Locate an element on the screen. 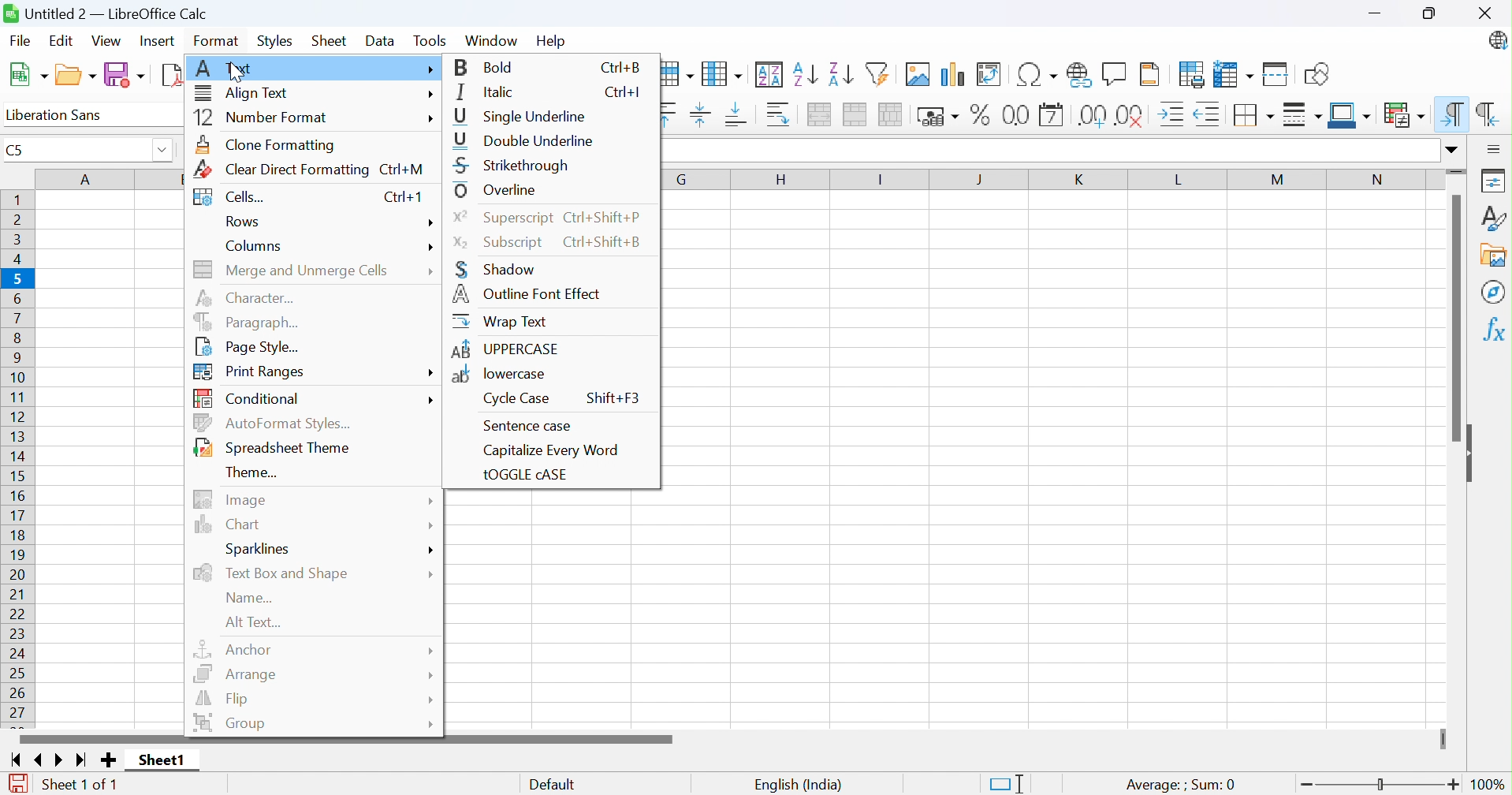 The width and height of the screenshot is (1512, 795). Double underline is located at coordinates (524, 142).